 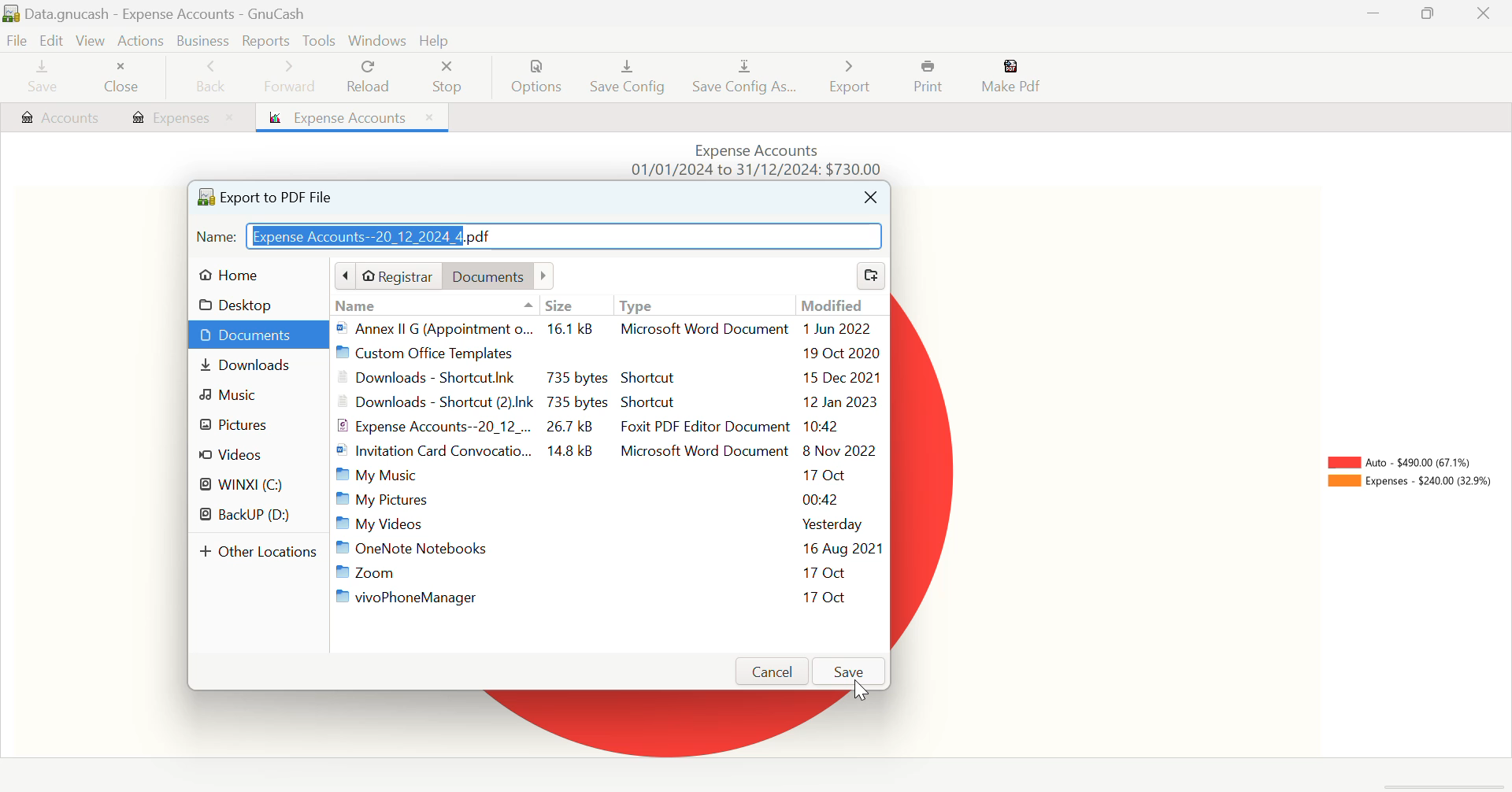 What do you see at coordinates (261, 554) in the screenshot?
I see `Other Locations` at bounding box center [261, 554].